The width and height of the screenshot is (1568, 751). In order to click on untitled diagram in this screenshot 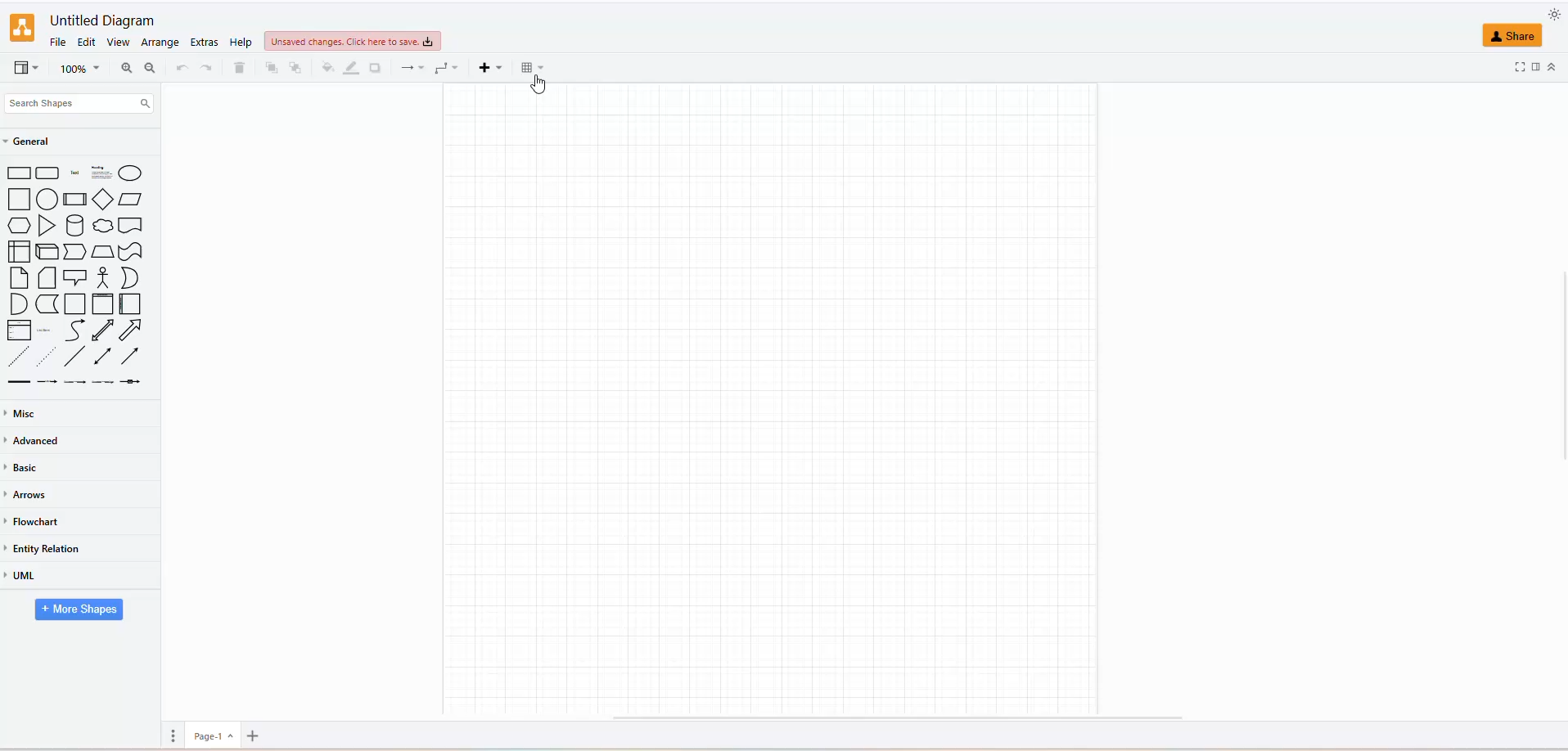, I will do `click(102, 21)`.